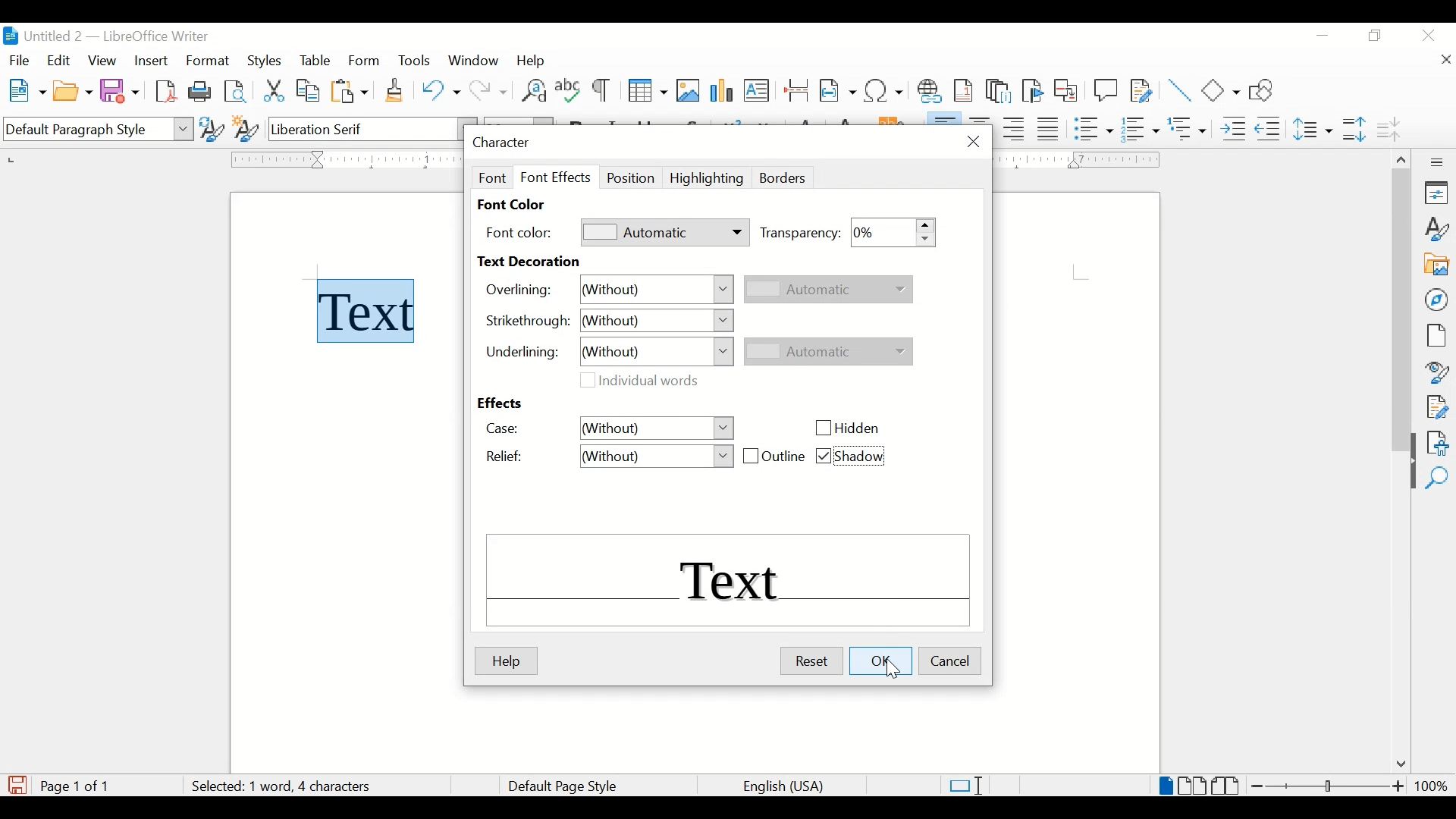  Describe the element at coordinates (500, 404) in the screenshot. I see `effects` at that location.